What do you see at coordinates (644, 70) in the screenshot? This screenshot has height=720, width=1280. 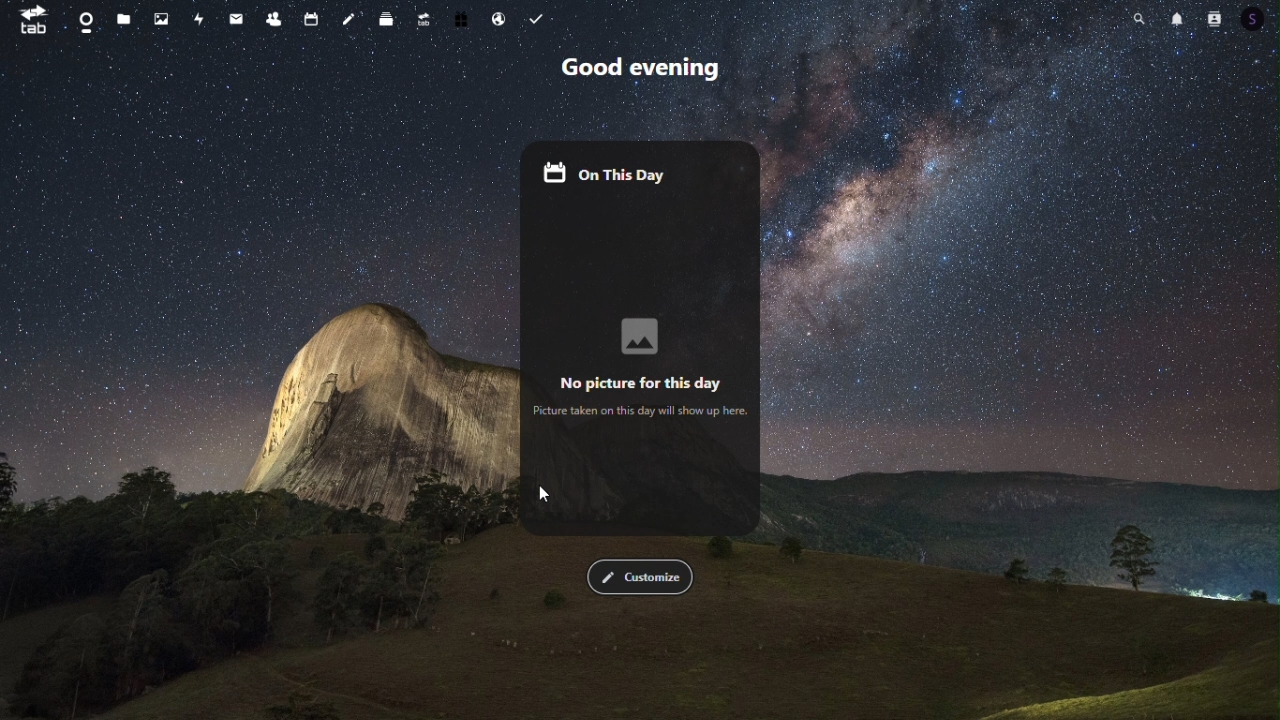 I see `Greetings` at bounding box center [644, 70].